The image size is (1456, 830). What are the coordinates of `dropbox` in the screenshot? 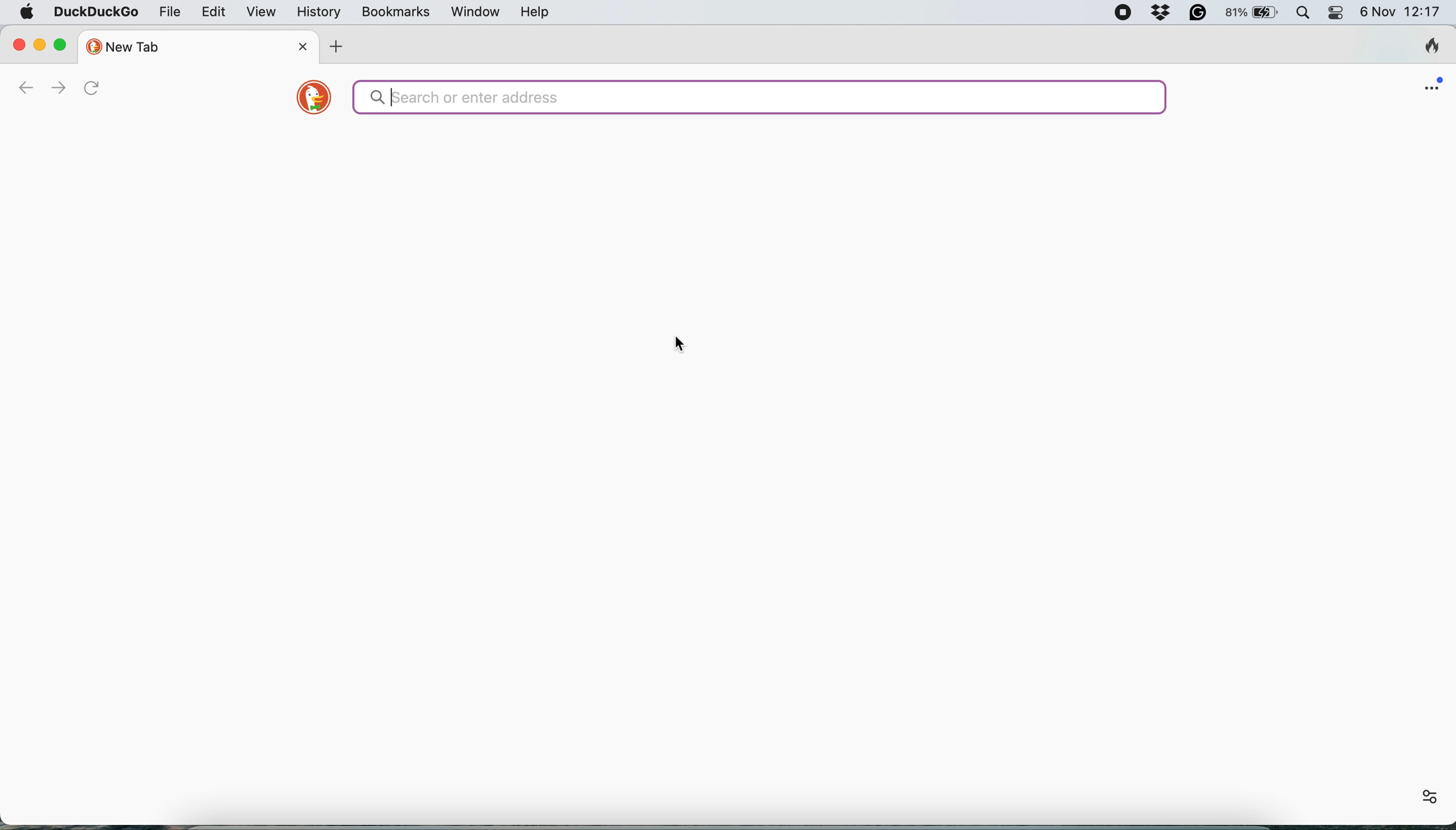 It's located at (1160, 14).